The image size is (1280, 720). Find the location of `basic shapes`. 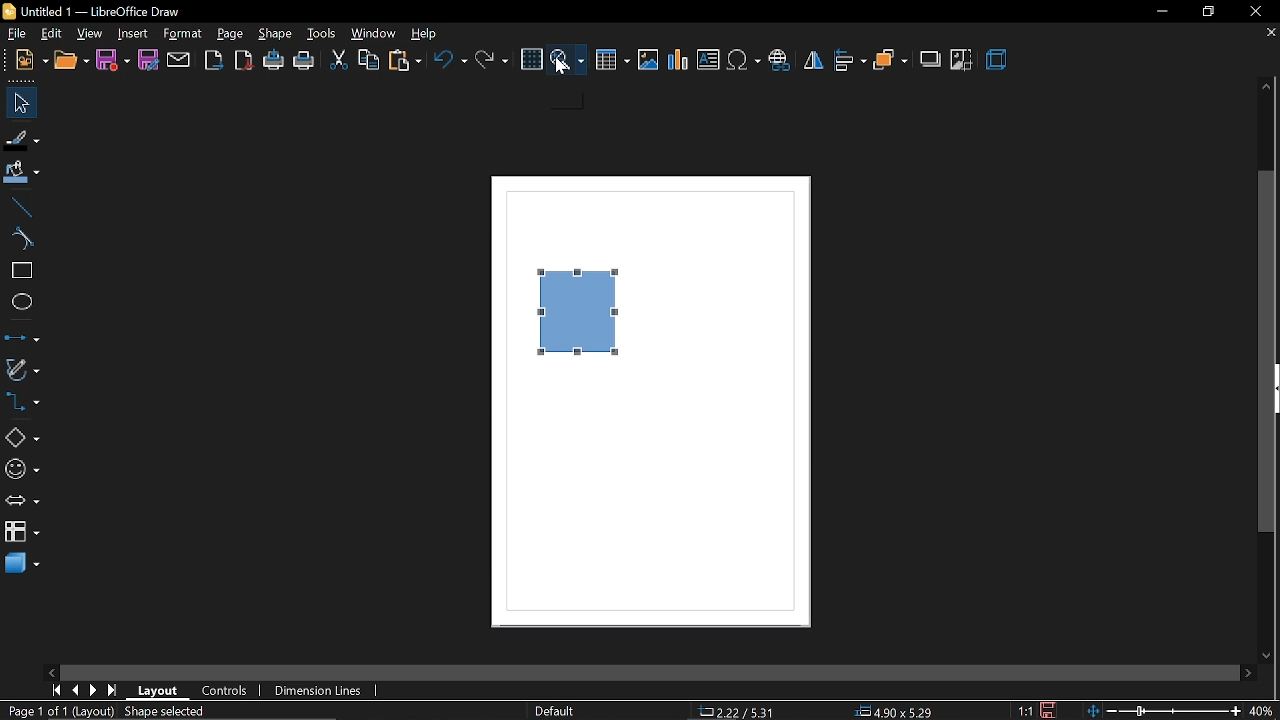

basic shapes is located at coordinates (22, 438).